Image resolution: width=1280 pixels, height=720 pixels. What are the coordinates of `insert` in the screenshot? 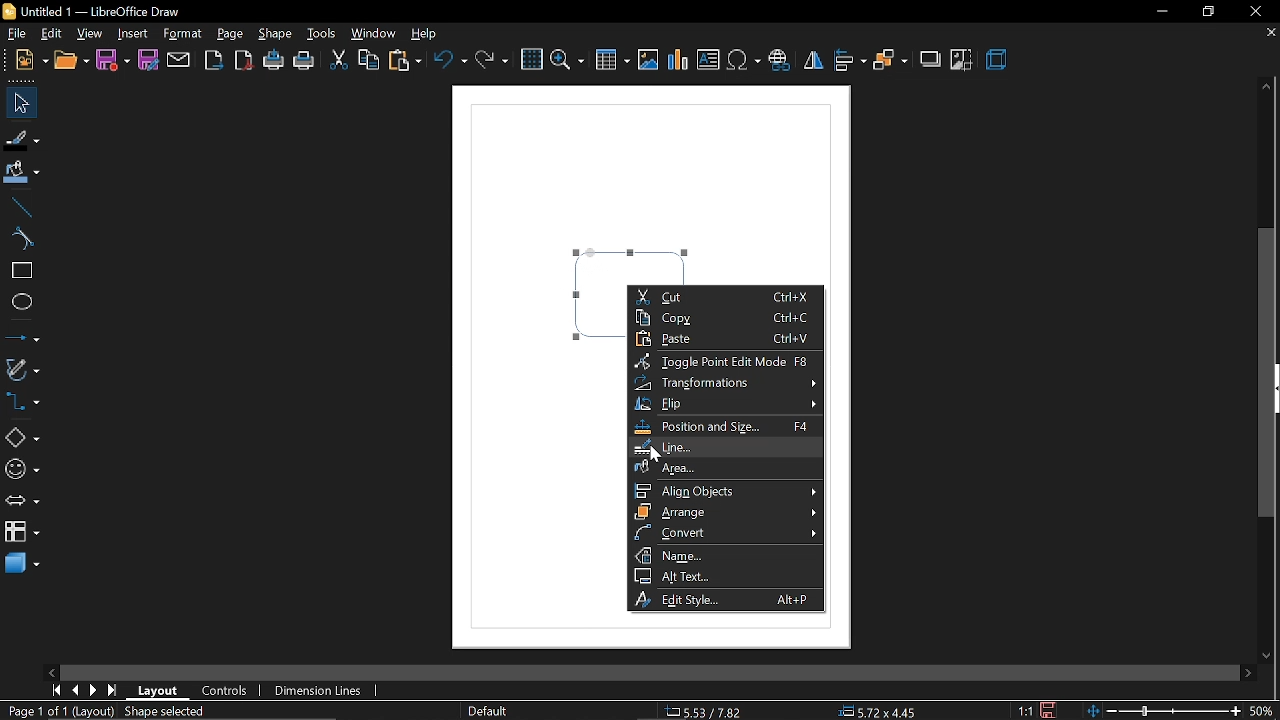 It's located at (133, 33).